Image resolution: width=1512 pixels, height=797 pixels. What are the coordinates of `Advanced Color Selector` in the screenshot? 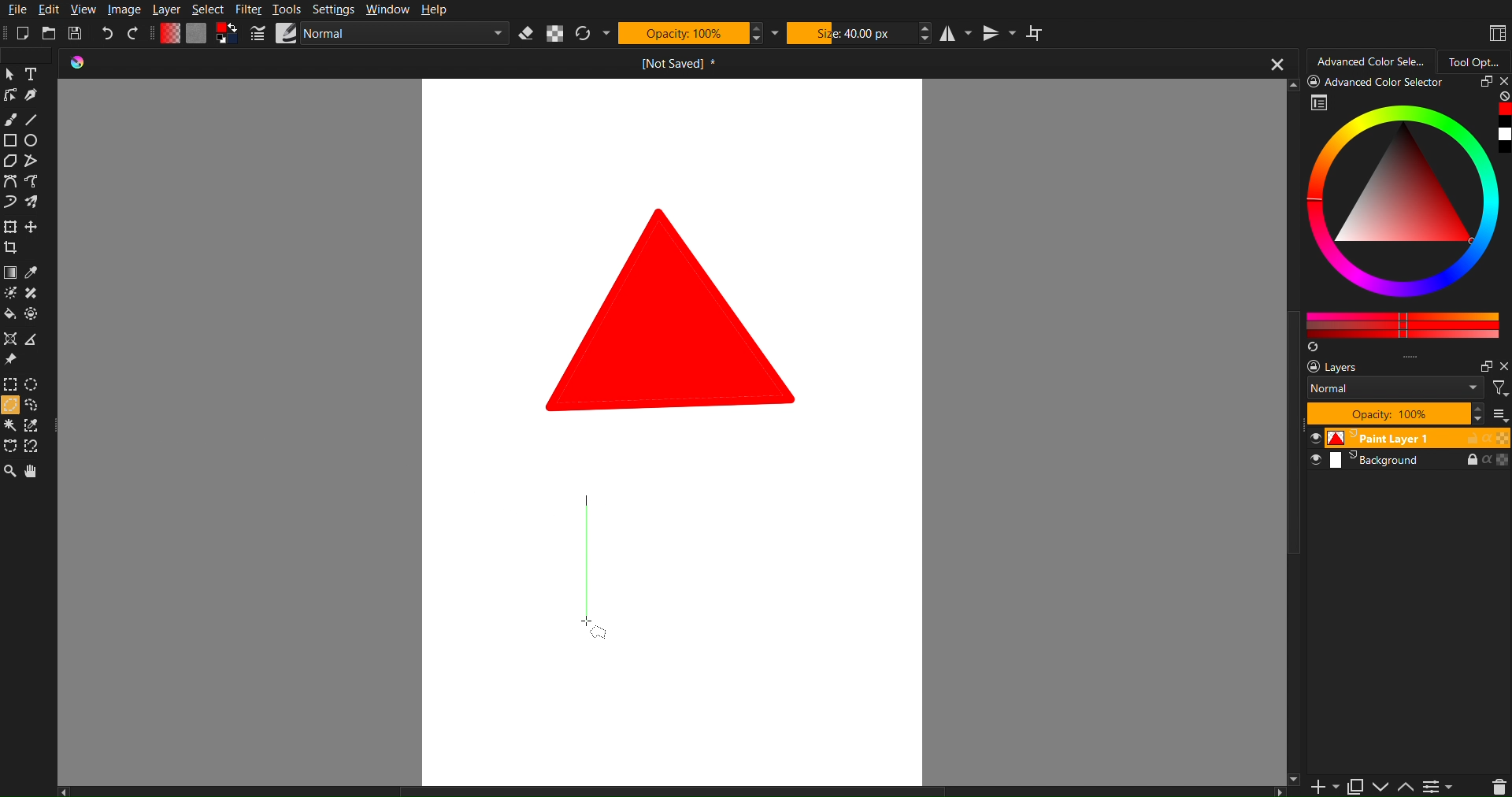 It's located at (1369, 61).